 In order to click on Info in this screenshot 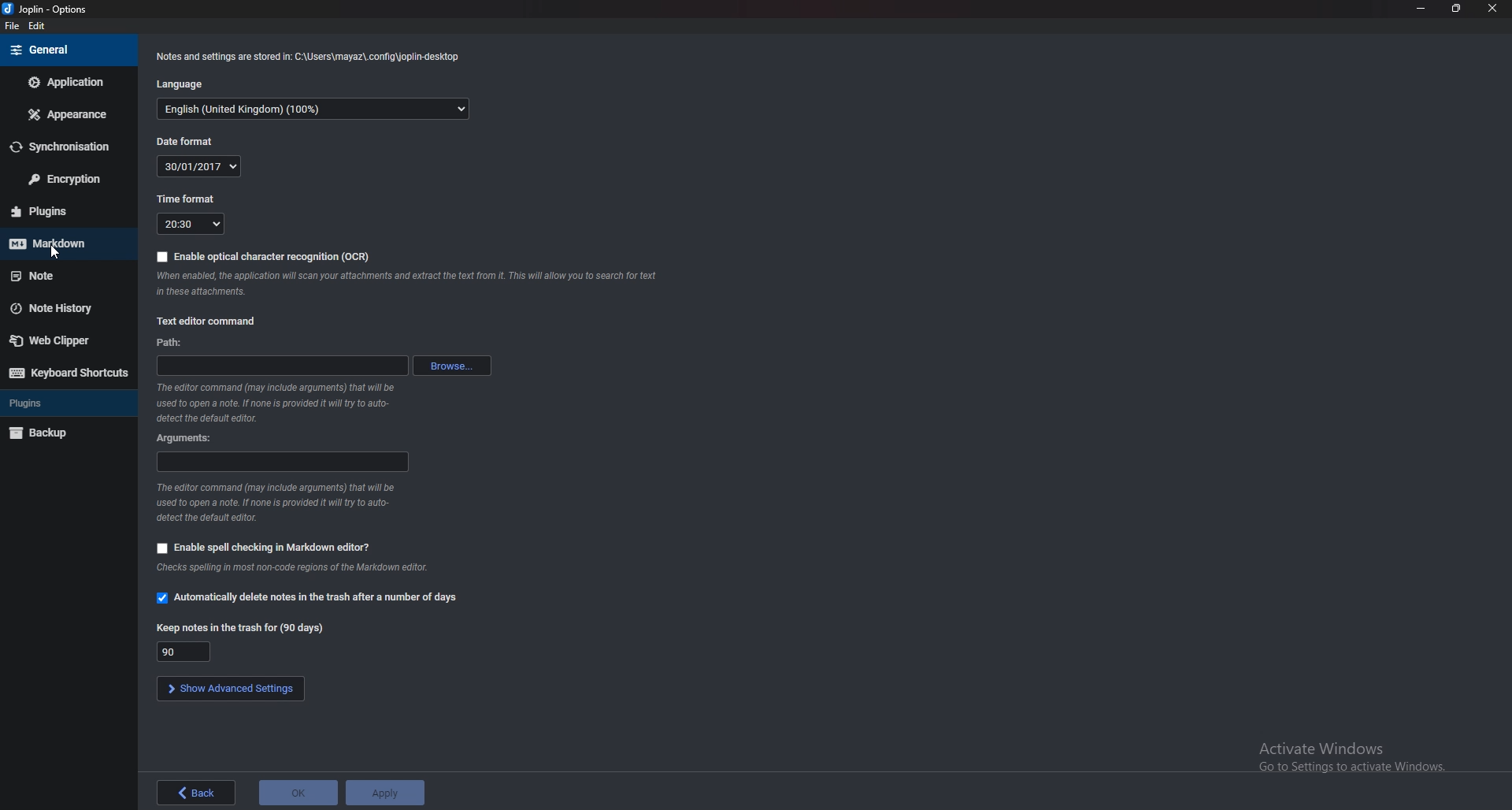, I will do `click(312, 56)`.